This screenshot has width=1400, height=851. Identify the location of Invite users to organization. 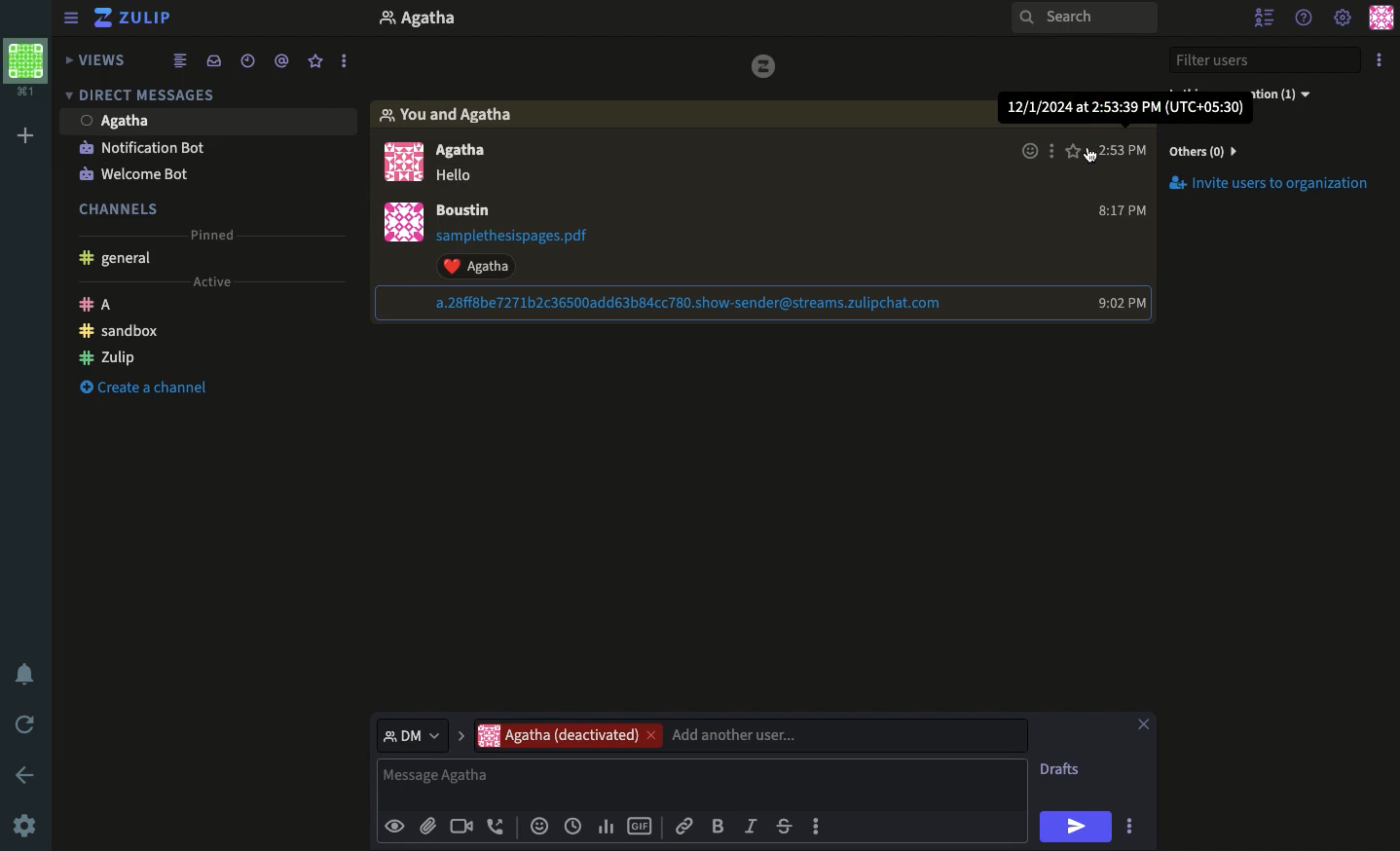
(1271, 184).